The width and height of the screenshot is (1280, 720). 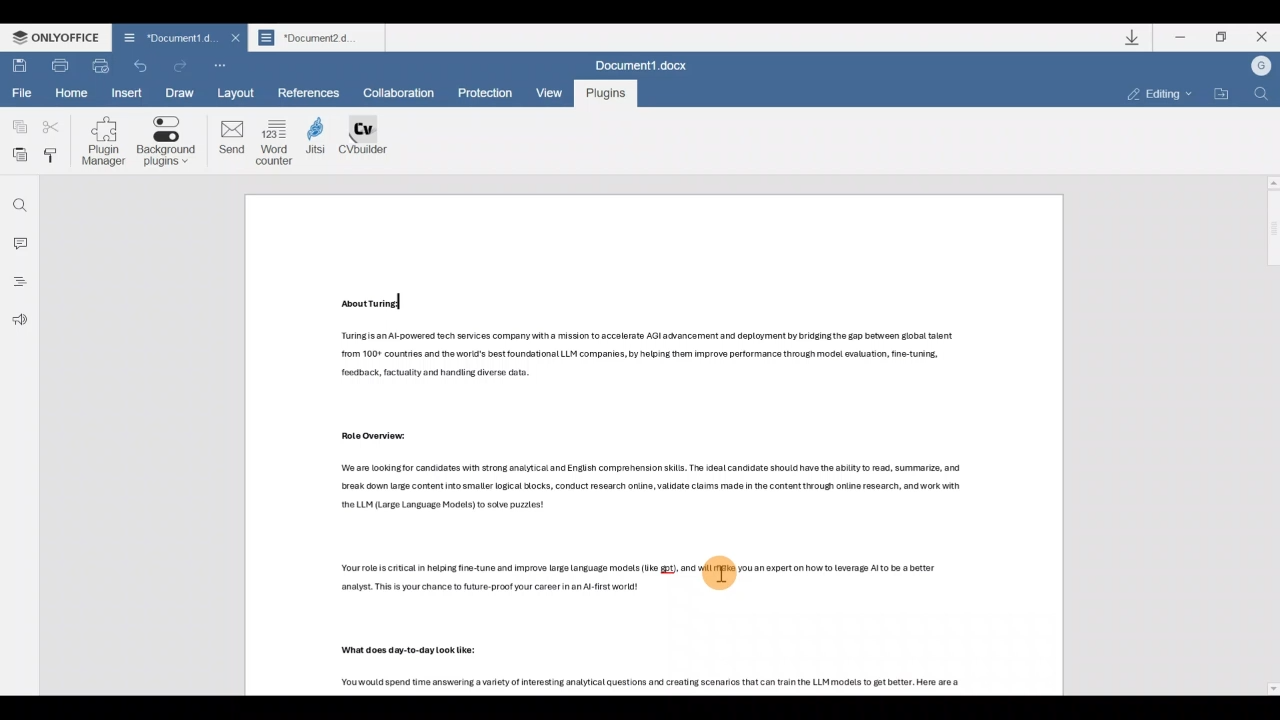 I want to click on Close, so click(x=232, y=38).